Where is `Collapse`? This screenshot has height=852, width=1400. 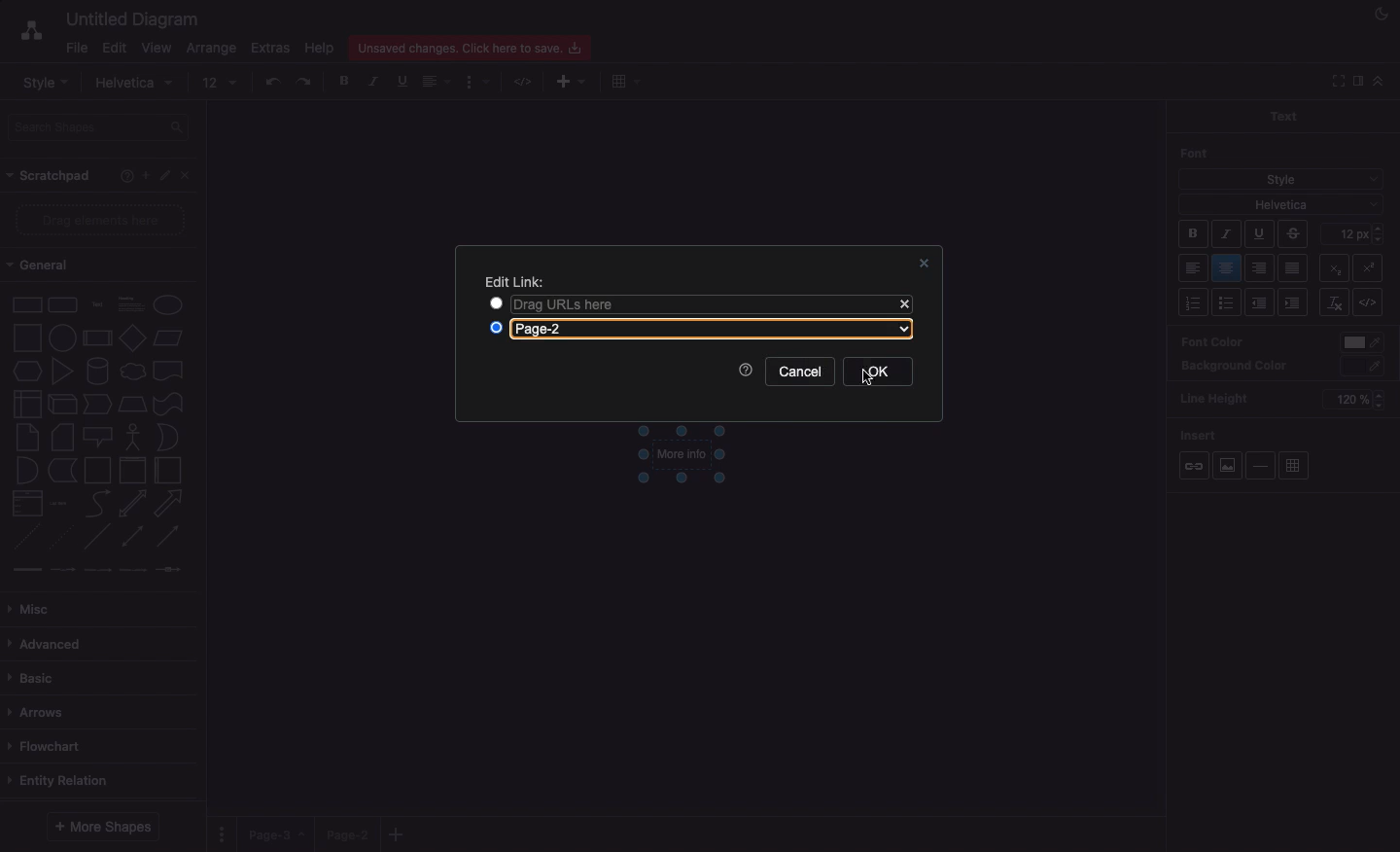
Collapse is located at coordinates (1378, 81).